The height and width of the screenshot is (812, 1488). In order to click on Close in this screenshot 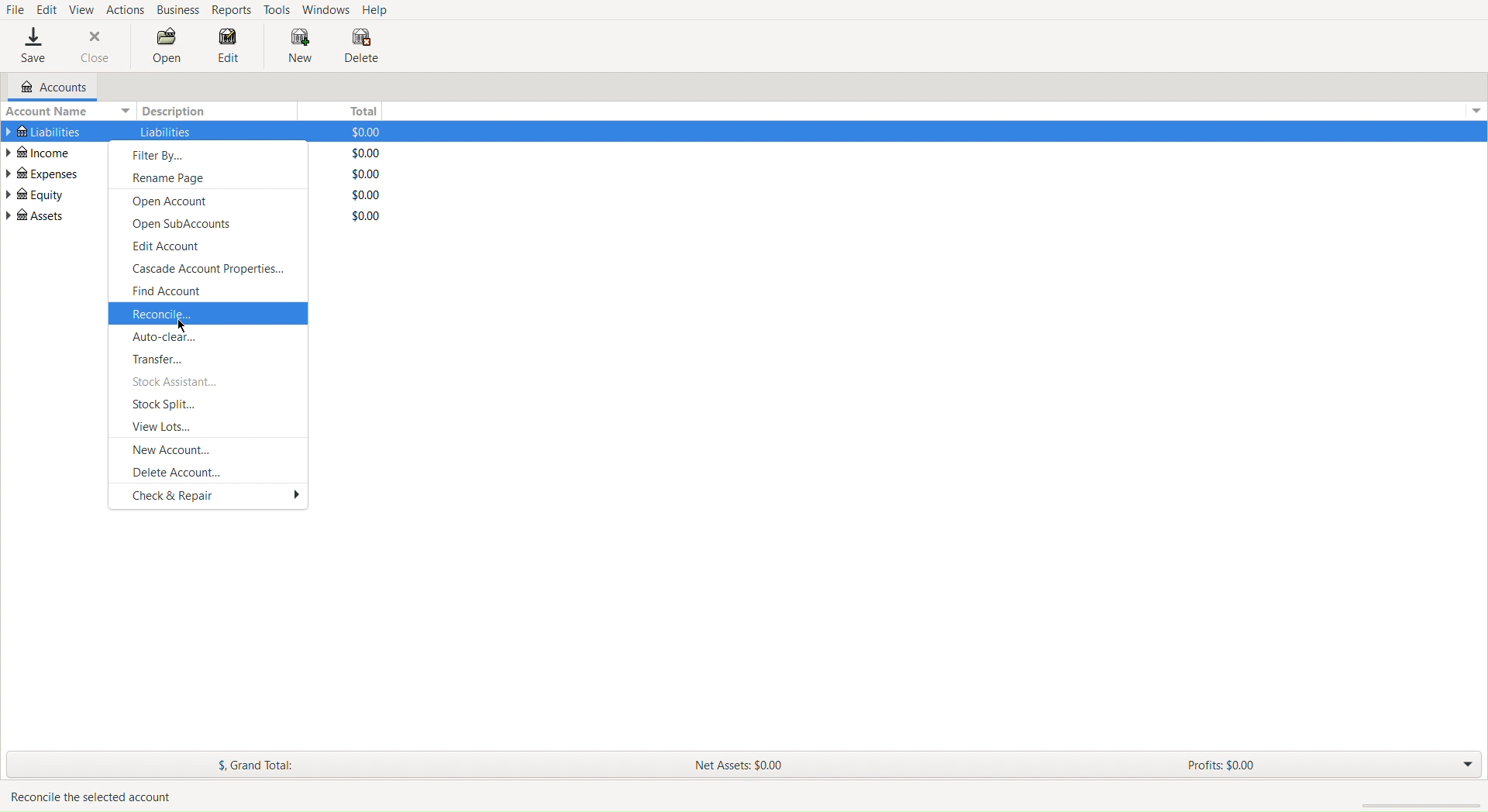, I will do `click(92, 47)`.